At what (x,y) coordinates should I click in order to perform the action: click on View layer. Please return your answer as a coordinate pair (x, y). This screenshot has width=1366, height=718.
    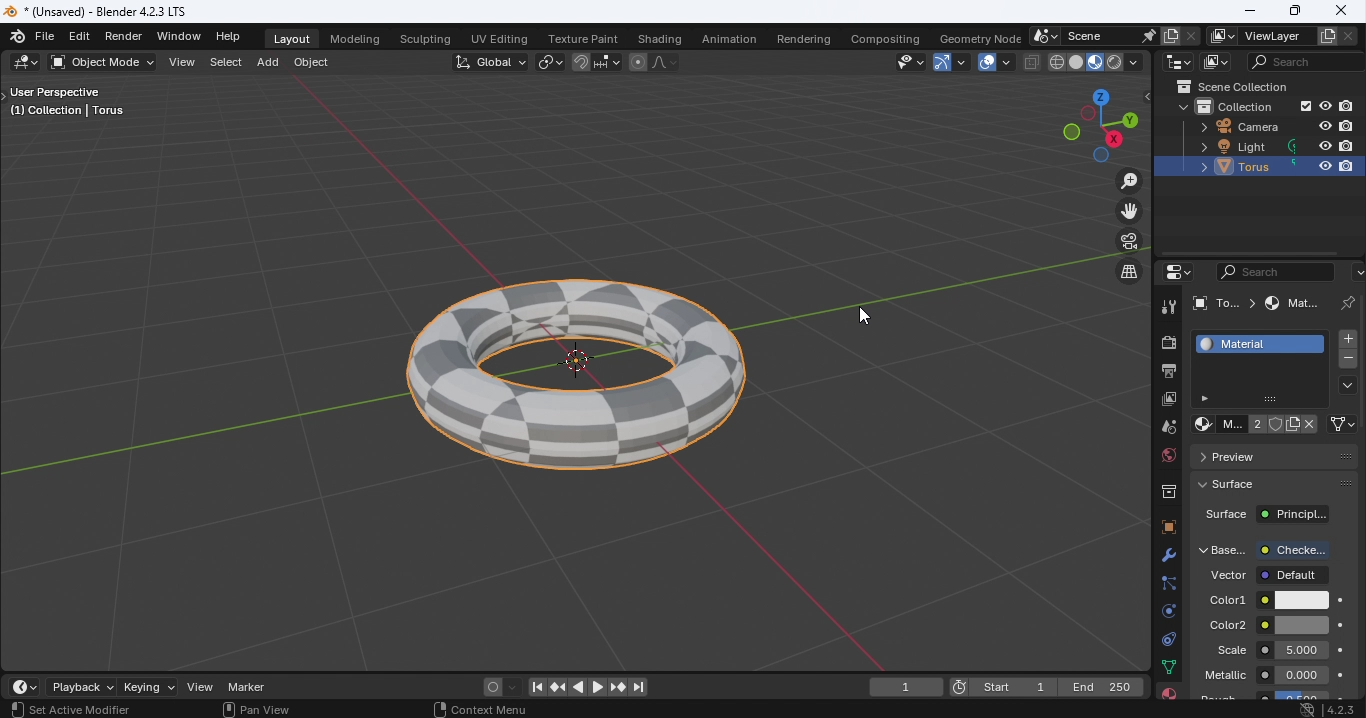
    Looking at the image, I should click on (1271, 35).